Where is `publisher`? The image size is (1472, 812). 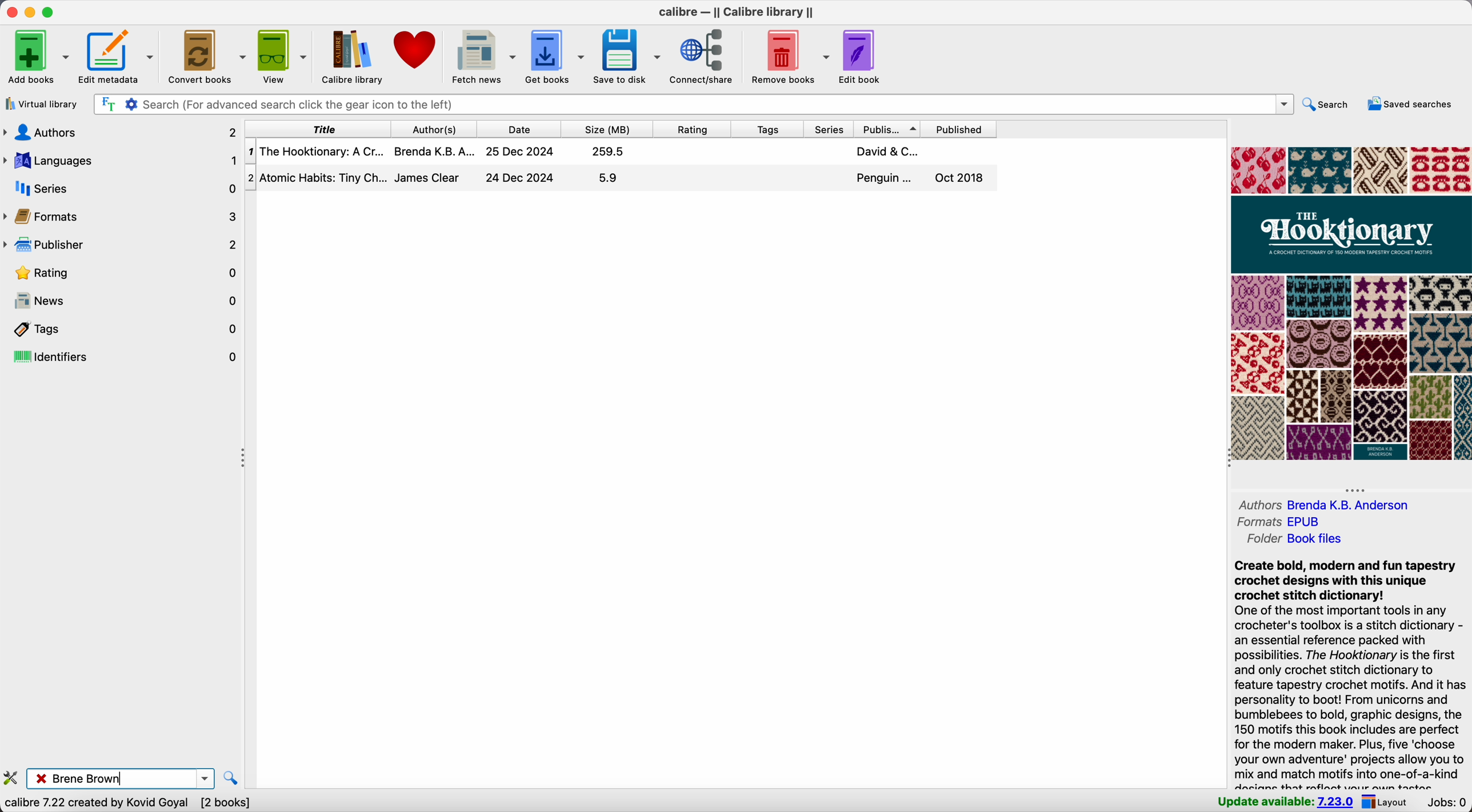 publisher is located at coordinates (889, 128).